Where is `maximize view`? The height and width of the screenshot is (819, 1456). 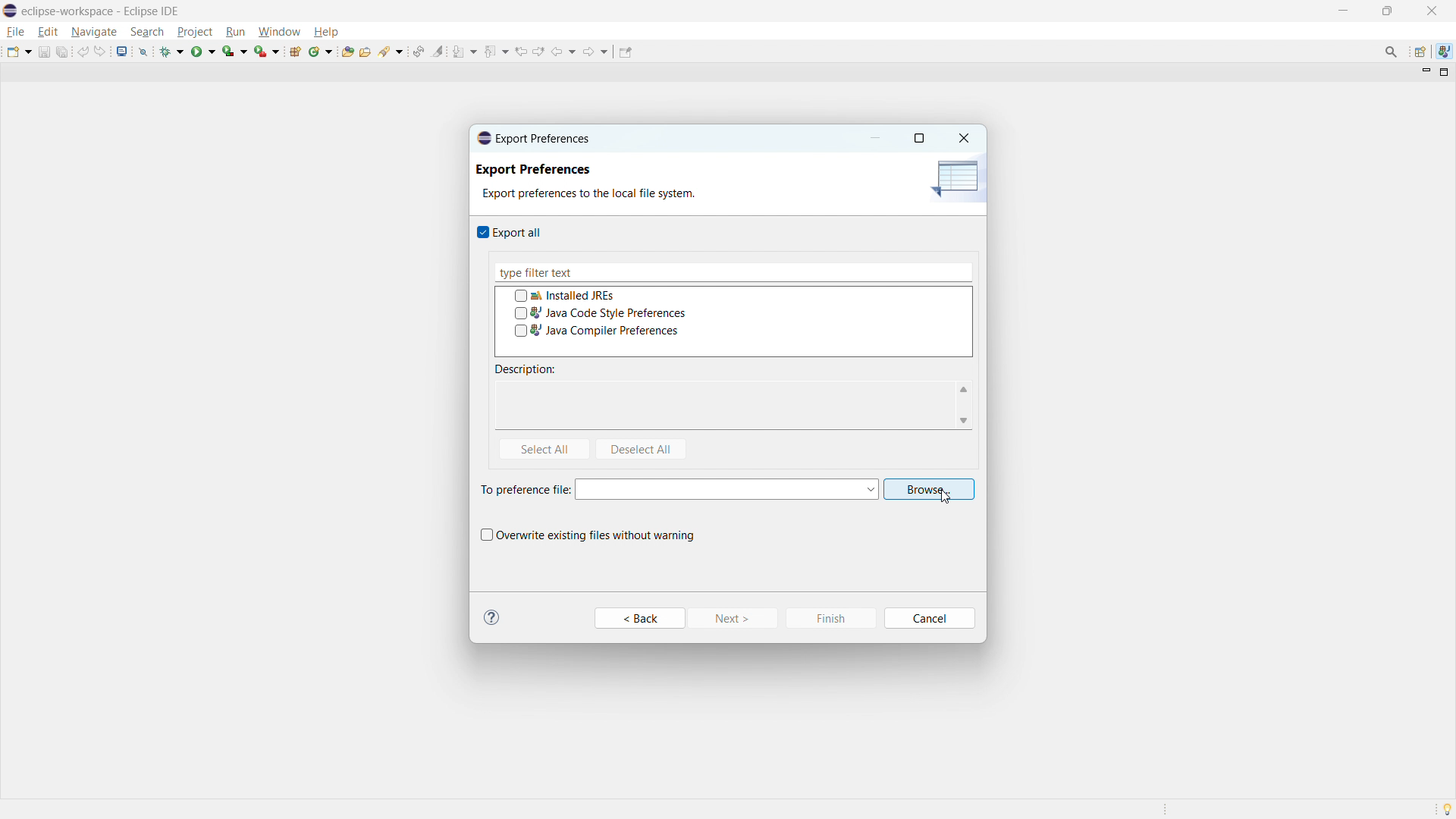
maximize view is located at coordinates (1445, 72).